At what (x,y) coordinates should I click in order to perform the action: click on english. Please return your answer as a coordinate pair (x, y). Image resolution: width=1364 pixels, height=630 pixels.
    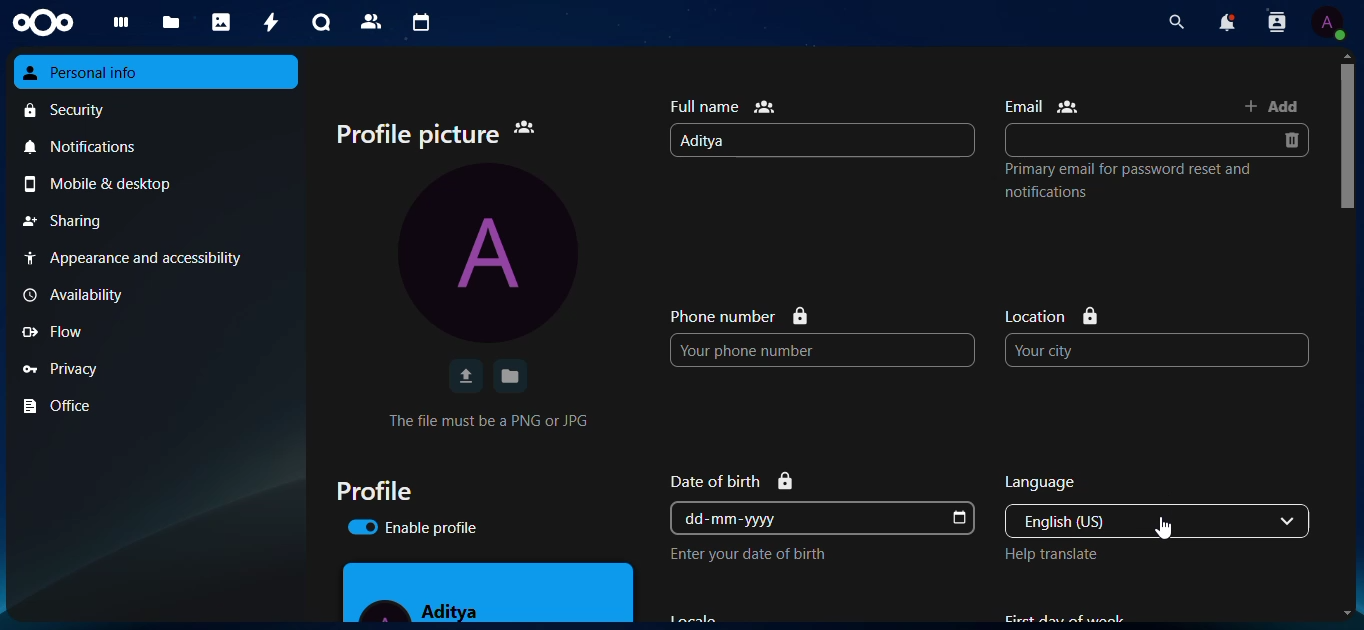
    Looking at the image, I should click on (1111, 520).